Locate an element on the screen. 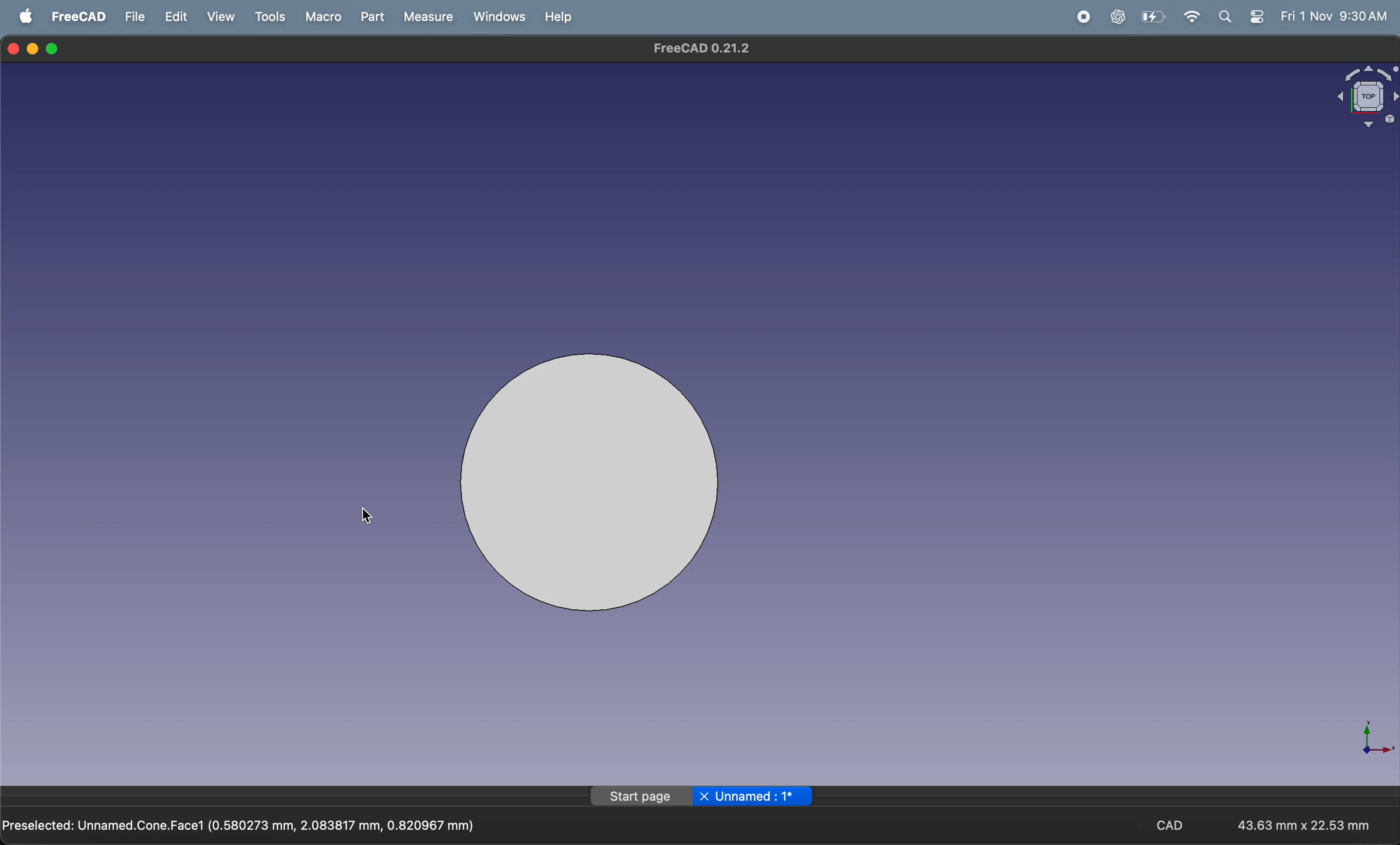 Image resolution: width=1400 pixels, height=845 pixels. apple menu is located at coordinates (27, 16).